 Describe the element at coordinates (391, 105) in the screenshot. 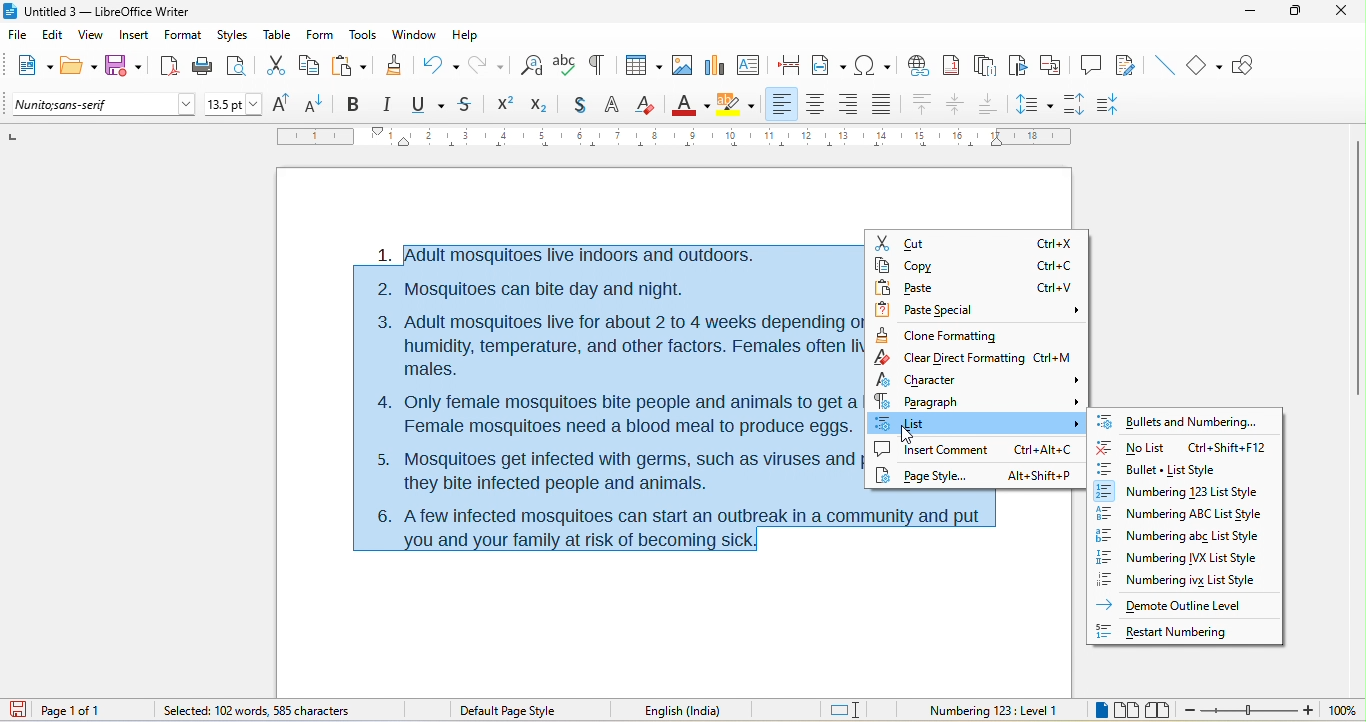

I see `italic` at that location.